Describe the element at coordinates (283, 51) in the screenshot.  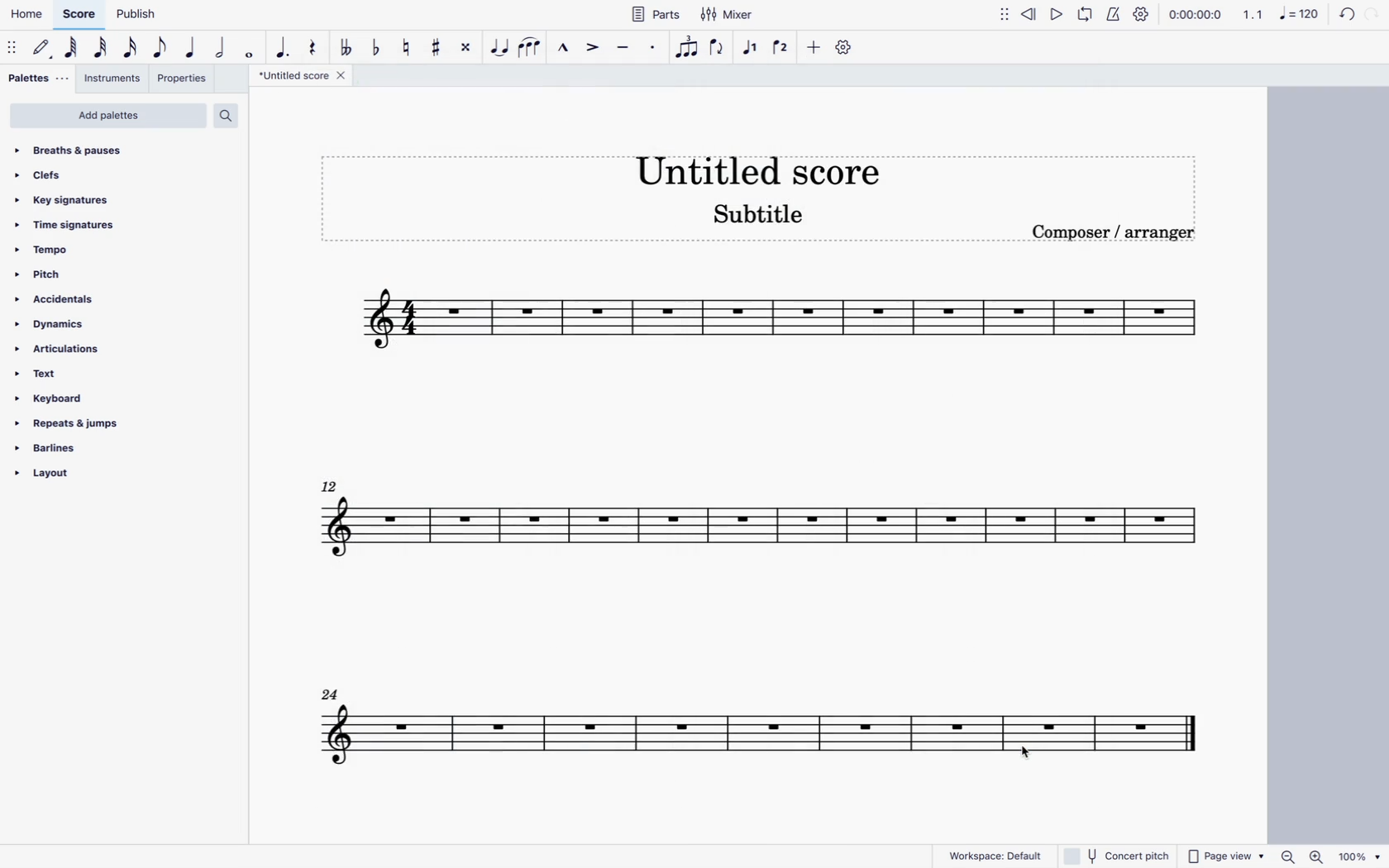
I see `augmentation dot` at that location.